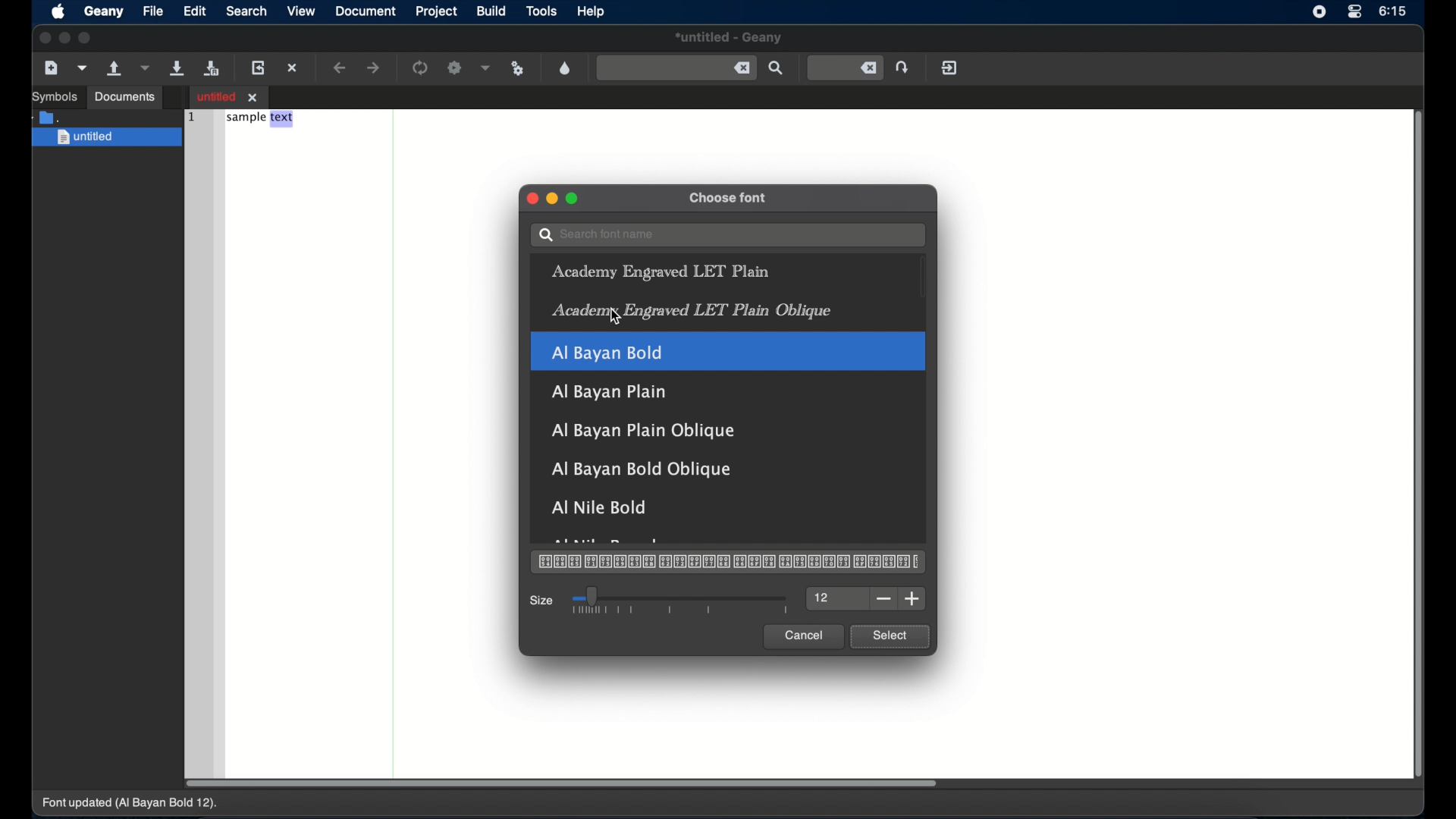  Describe the element at coordinates (905, 67) in the screenshot. I see `jump to entered line number` at that location.